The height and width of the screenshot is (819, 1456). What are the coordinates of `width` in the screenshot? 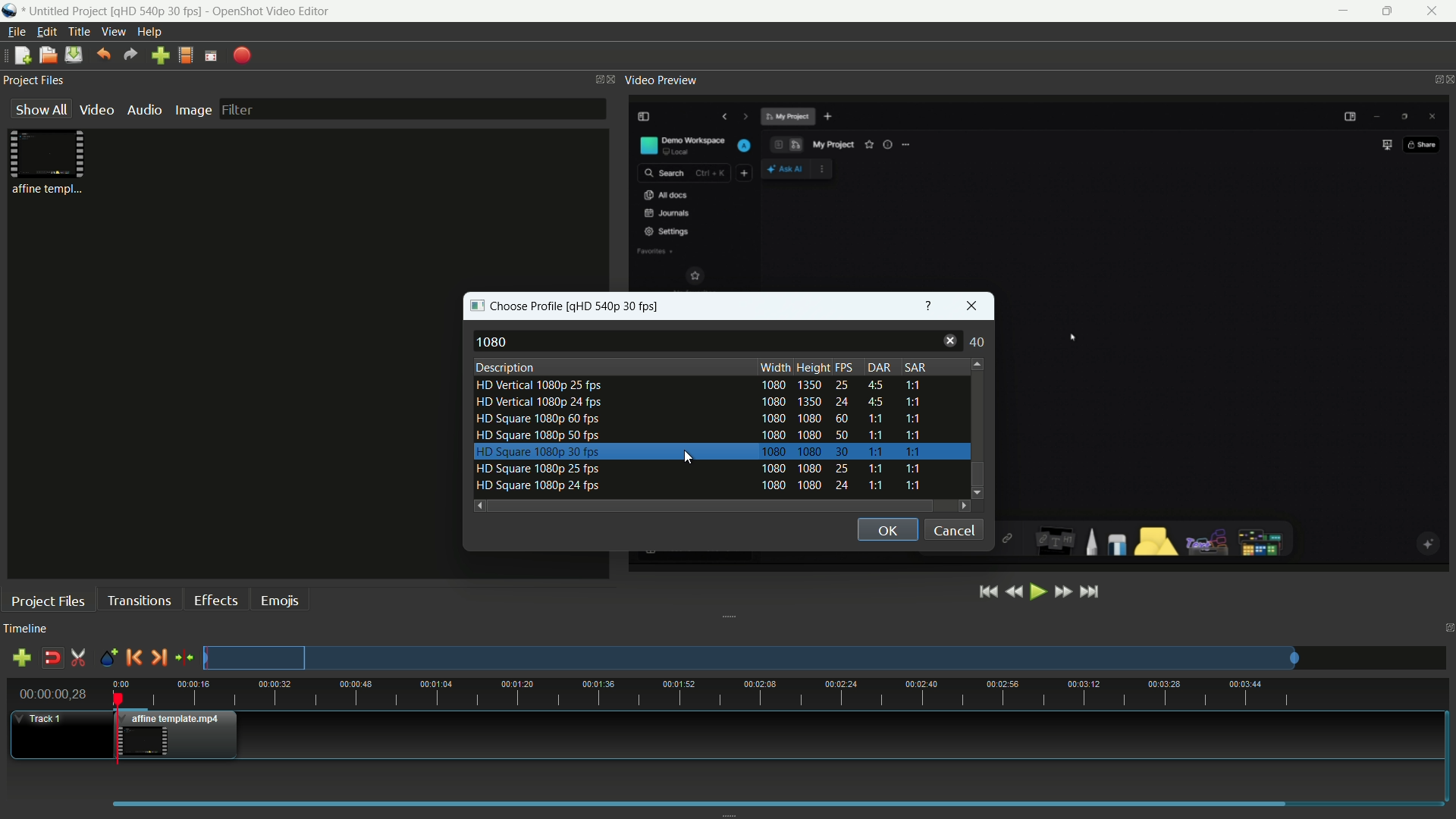 It's located at (775, 367).